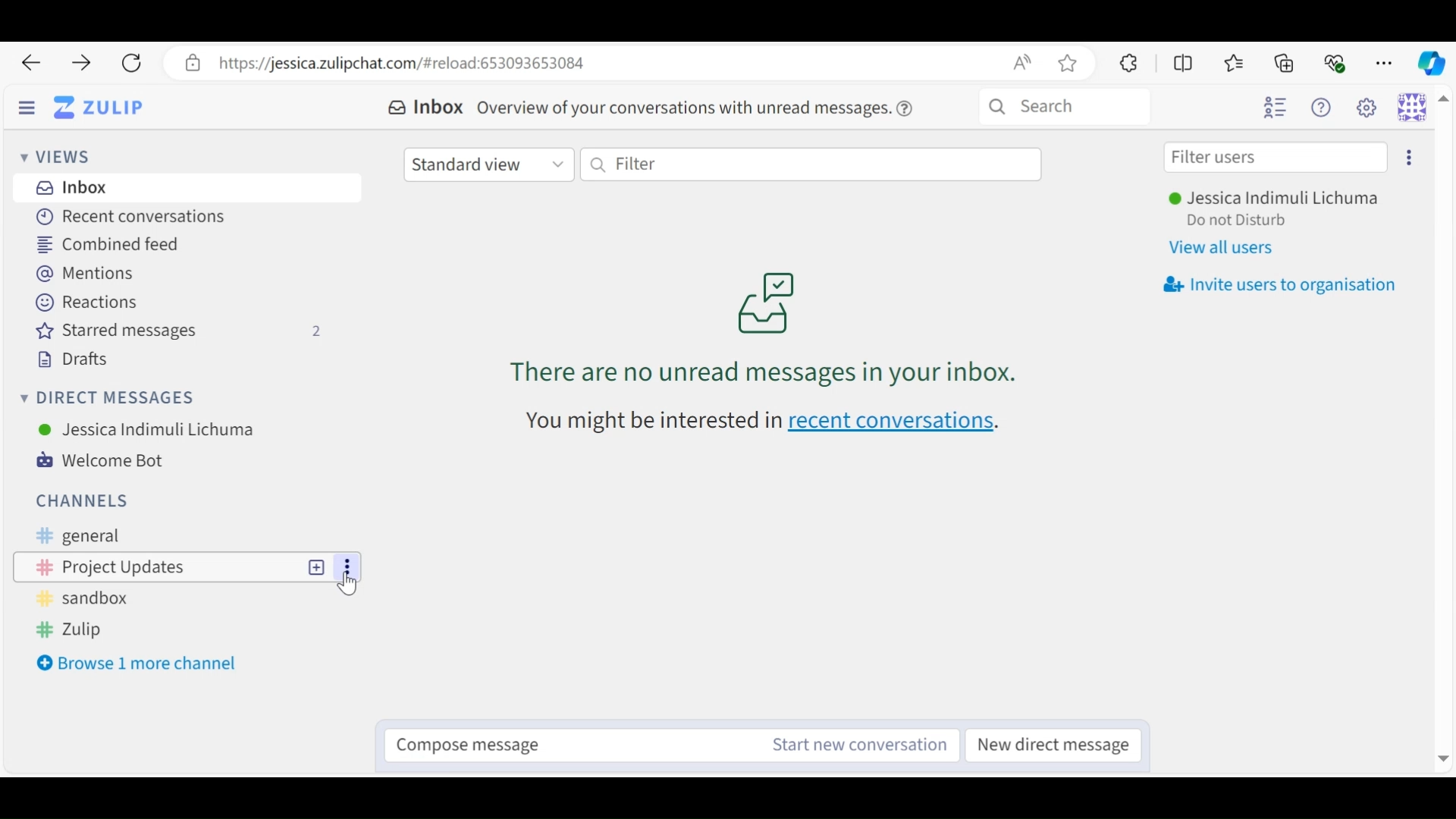 This screenshot has width=1456, height=819. Describe the element at coordinates (1235, 63) in the screenshot. I see `Favorites` at that location.